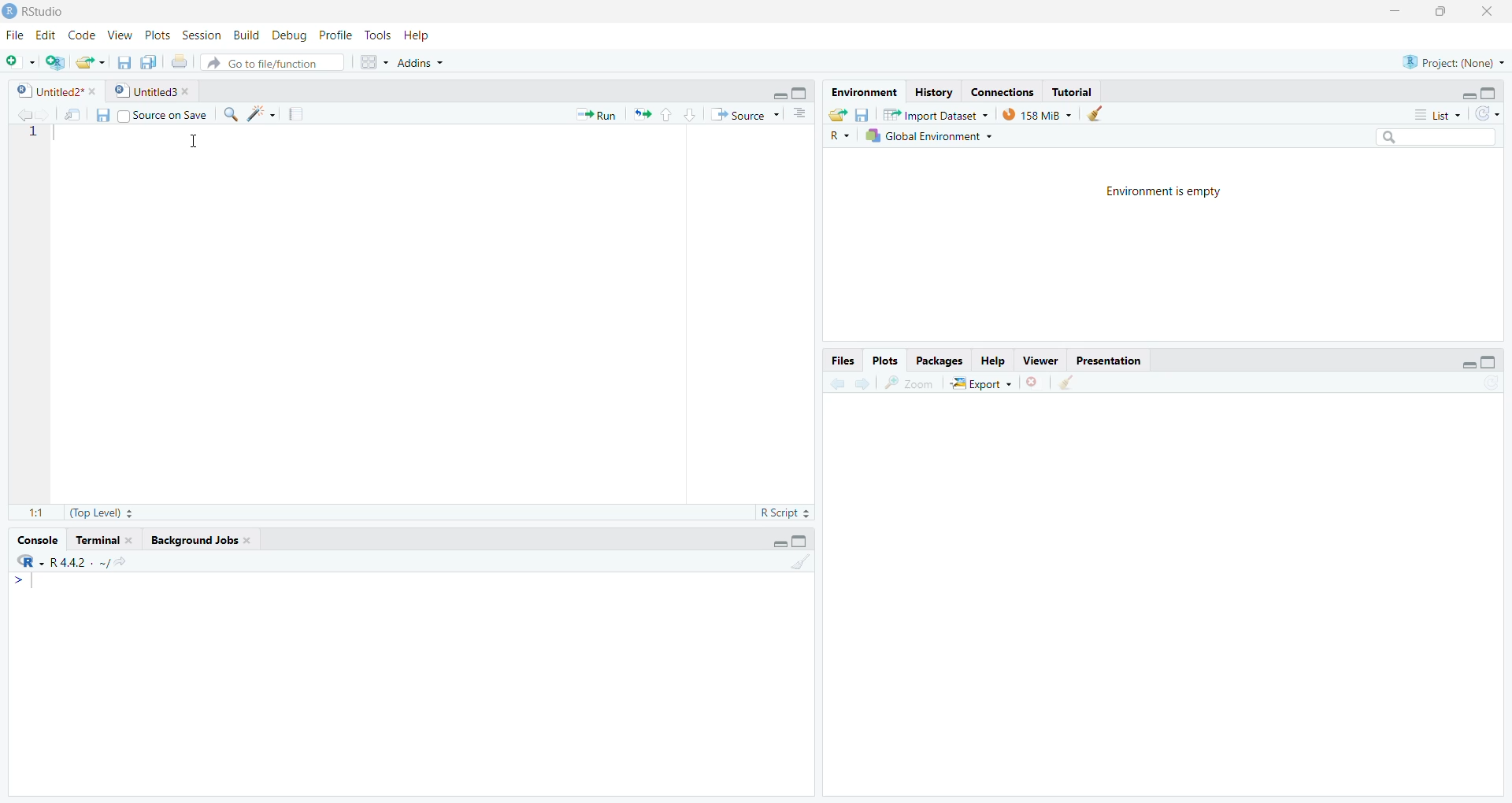  What do you see at coordinates (1392, 12) in the screenshot?
I see `minimize` at bounding box center [1392, 12].